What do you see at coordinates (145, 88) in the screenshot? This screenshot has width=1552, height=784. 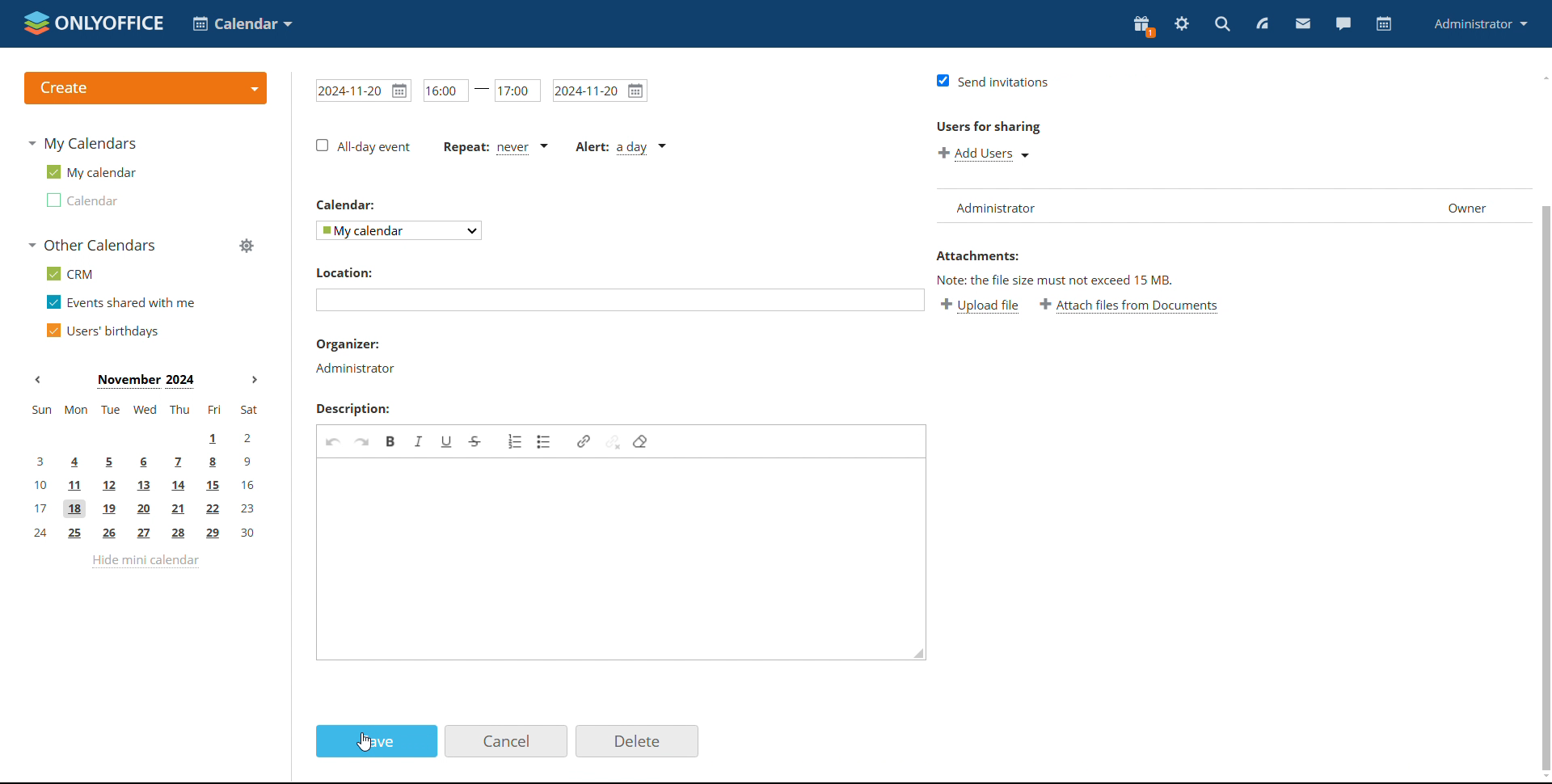 I see `create` at bounding box center [145, 88].